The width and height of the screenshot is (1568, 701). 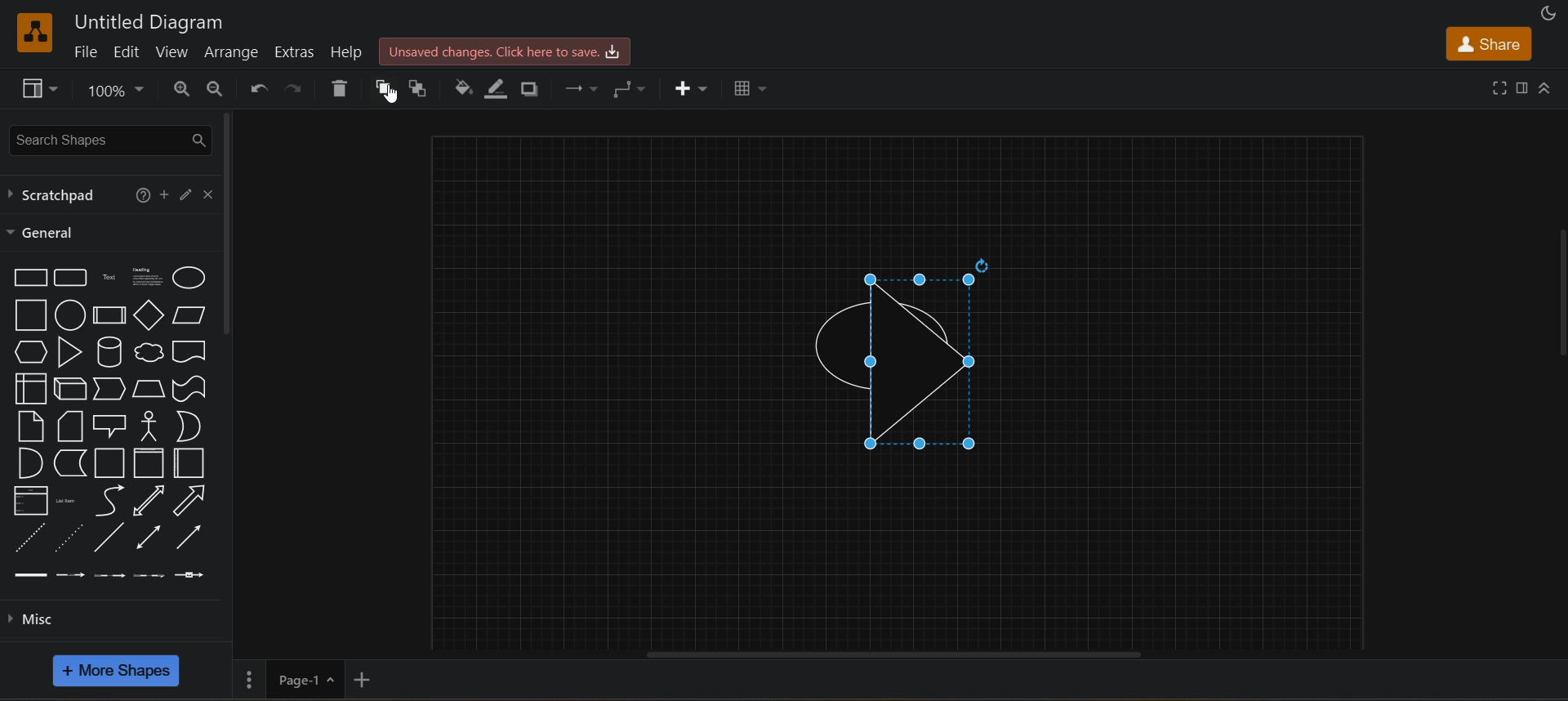 I want to click on process, so click(x=109, y=315).